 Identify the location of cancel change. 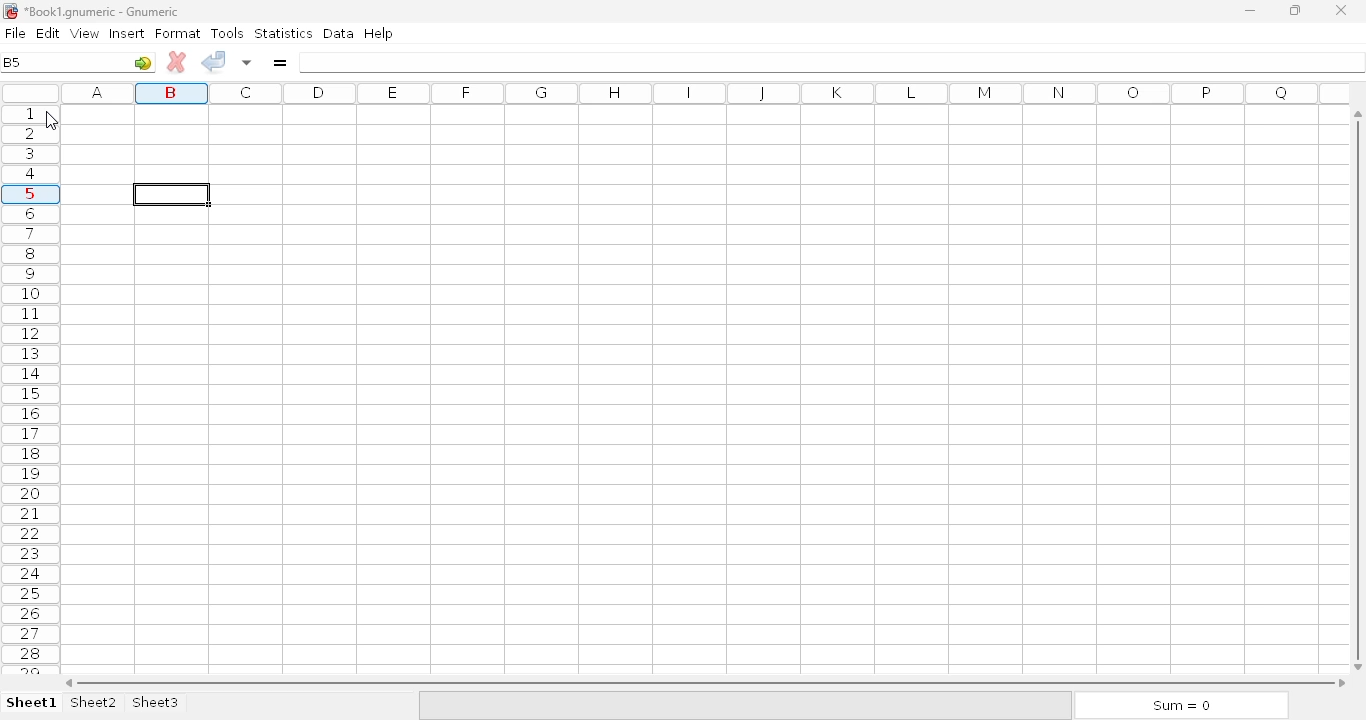
(177, 62).